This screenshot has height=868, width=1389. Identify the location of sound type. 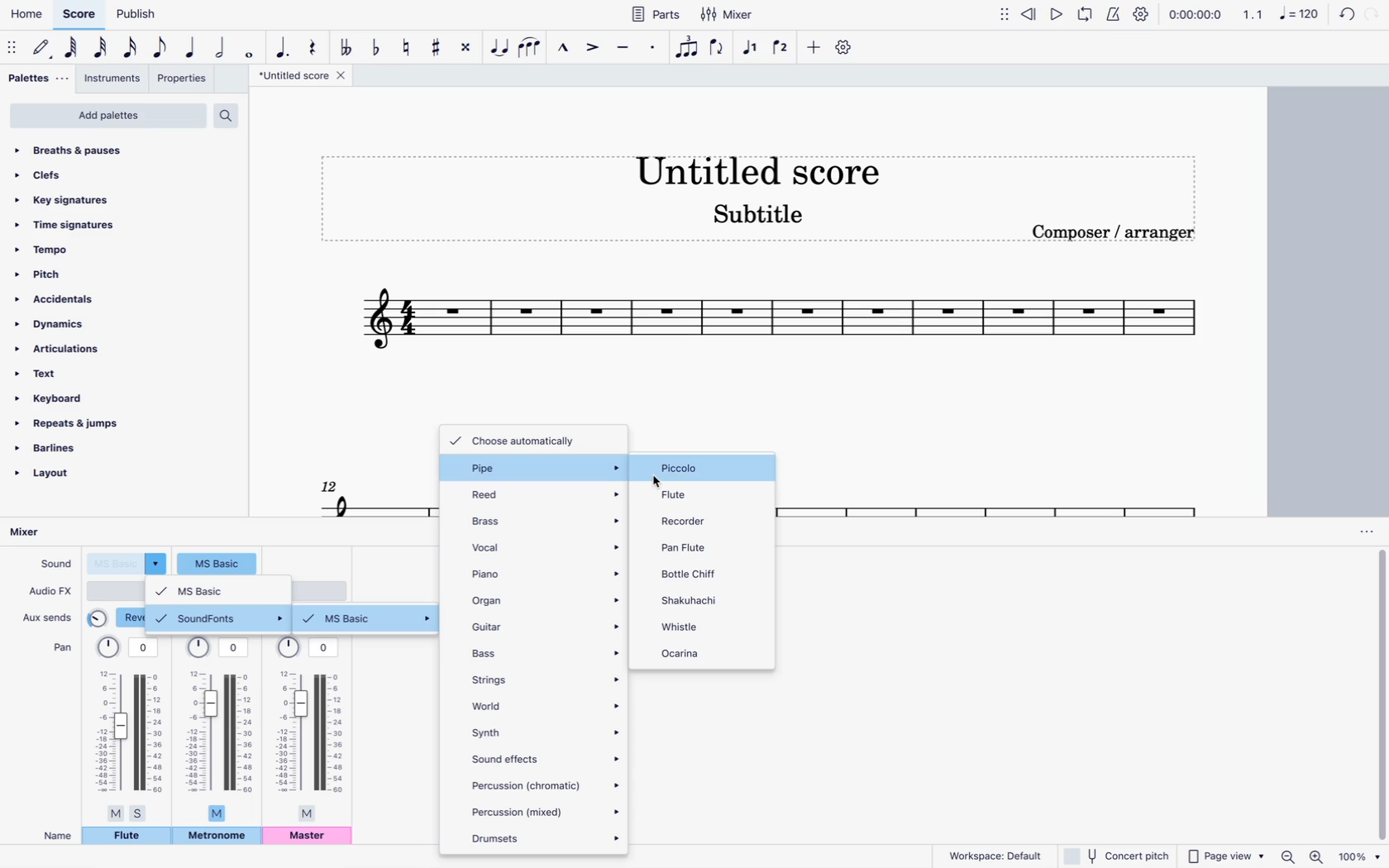
(217, 562).